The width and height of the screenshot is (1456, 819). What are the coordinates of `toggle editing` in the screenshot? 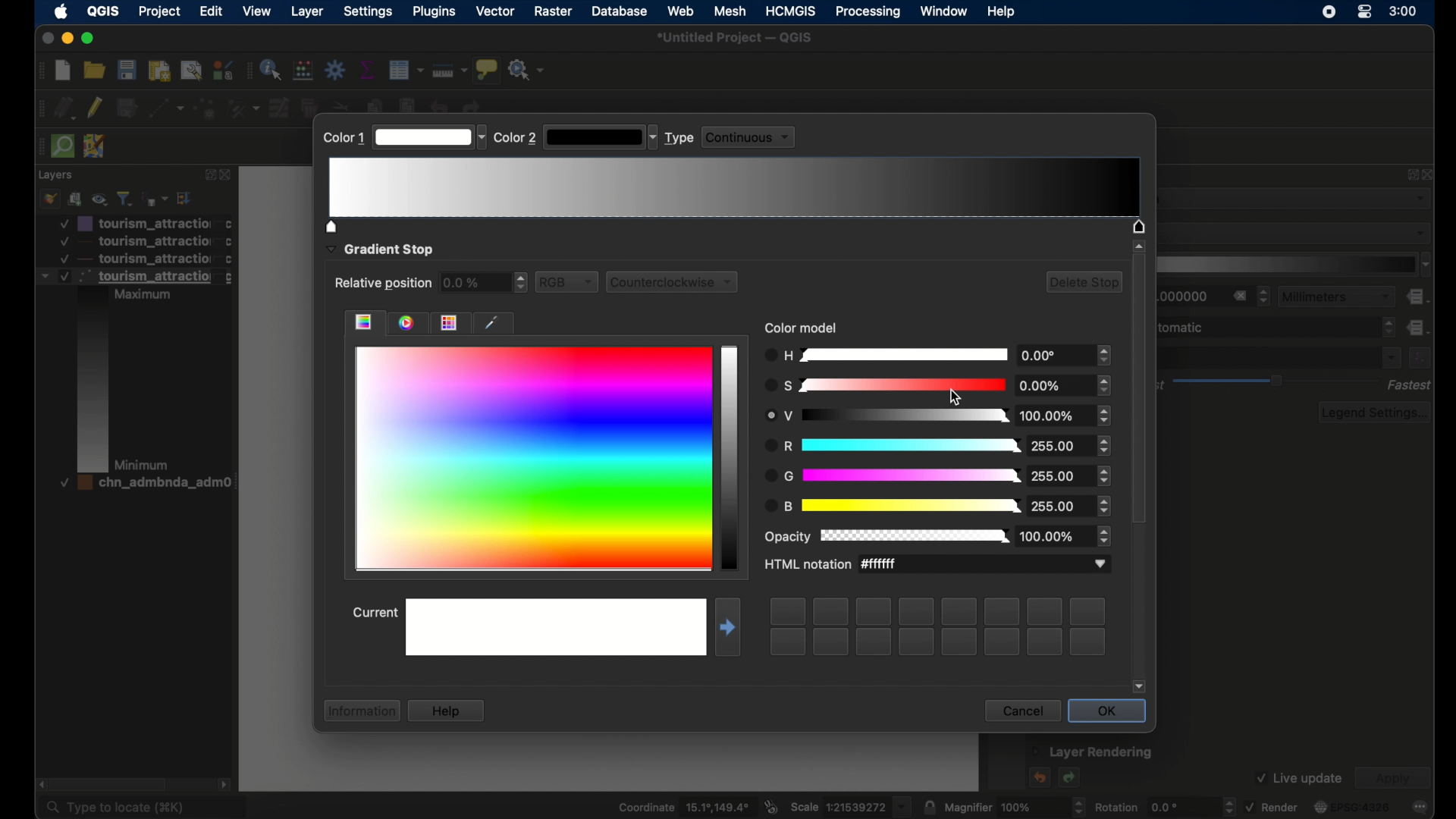 It's located at (95, 108).